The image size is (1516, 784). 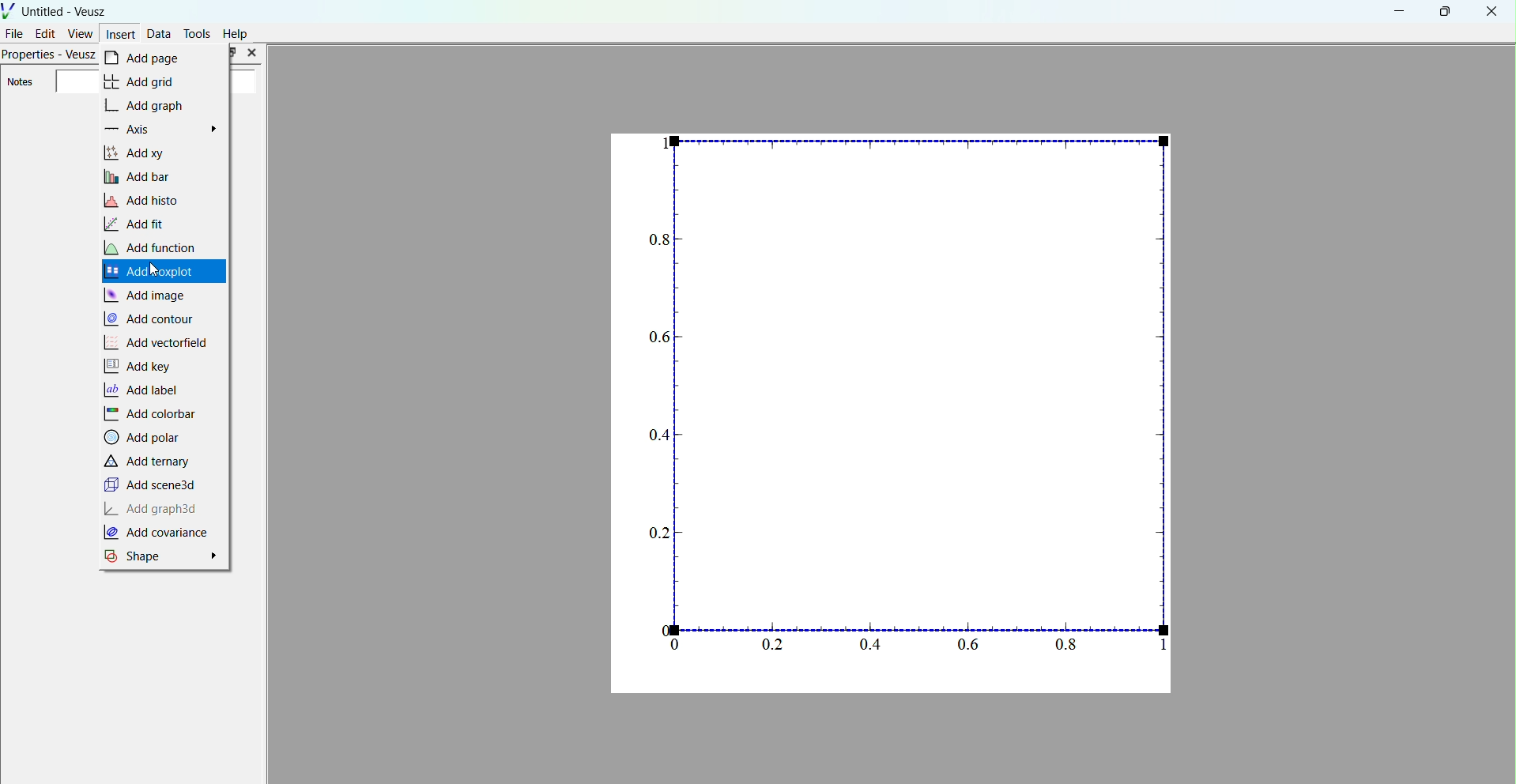 I want to click on Help, so click(x=236, y=34).